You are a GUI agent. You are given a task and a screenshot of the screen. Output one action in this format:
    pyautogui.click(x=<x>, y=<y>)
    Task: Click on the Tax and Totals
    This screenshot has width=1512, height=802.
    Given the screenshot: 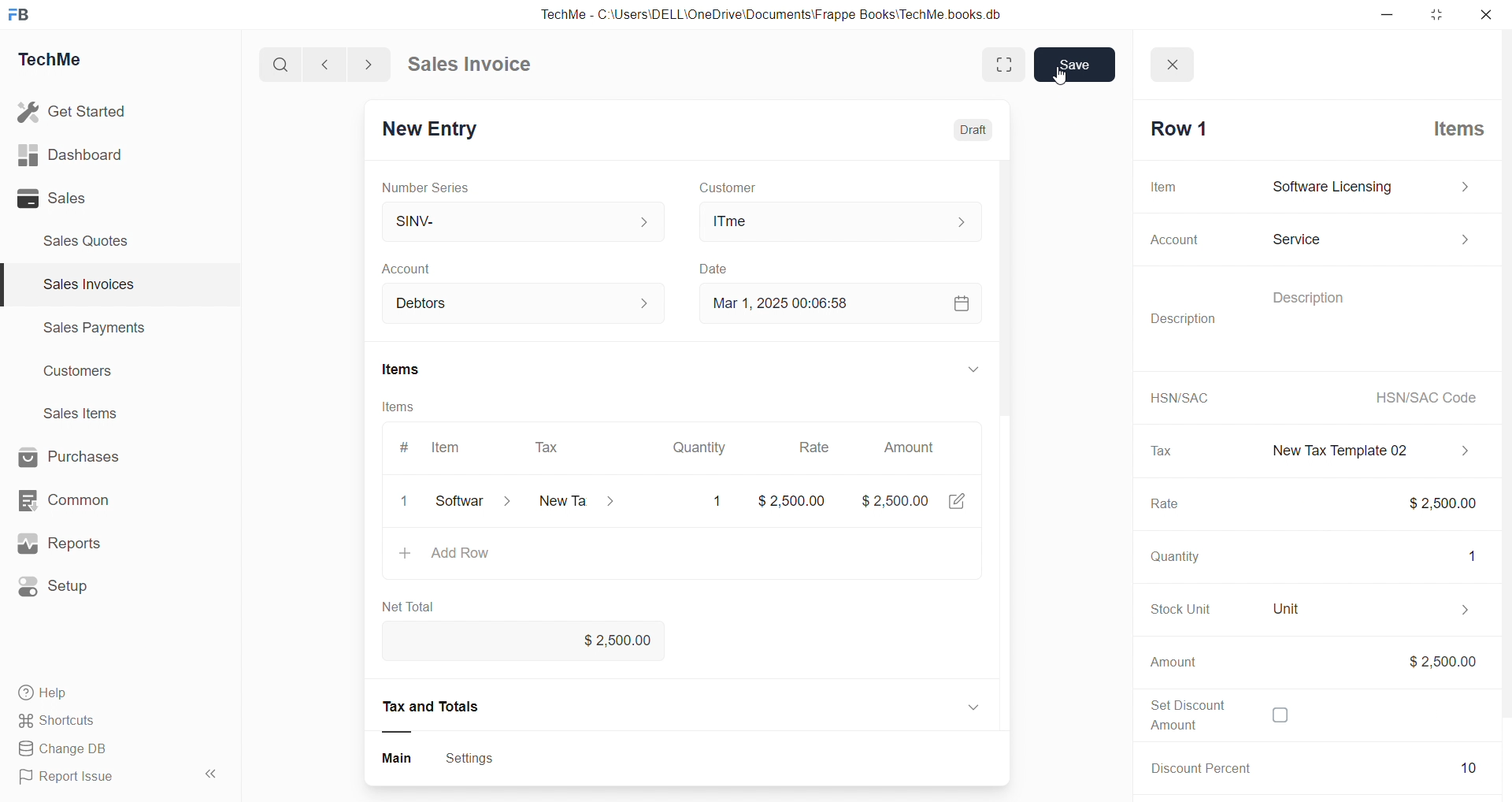 What is the action you would take?
    pyautogui.click(x=435, y=707)
    